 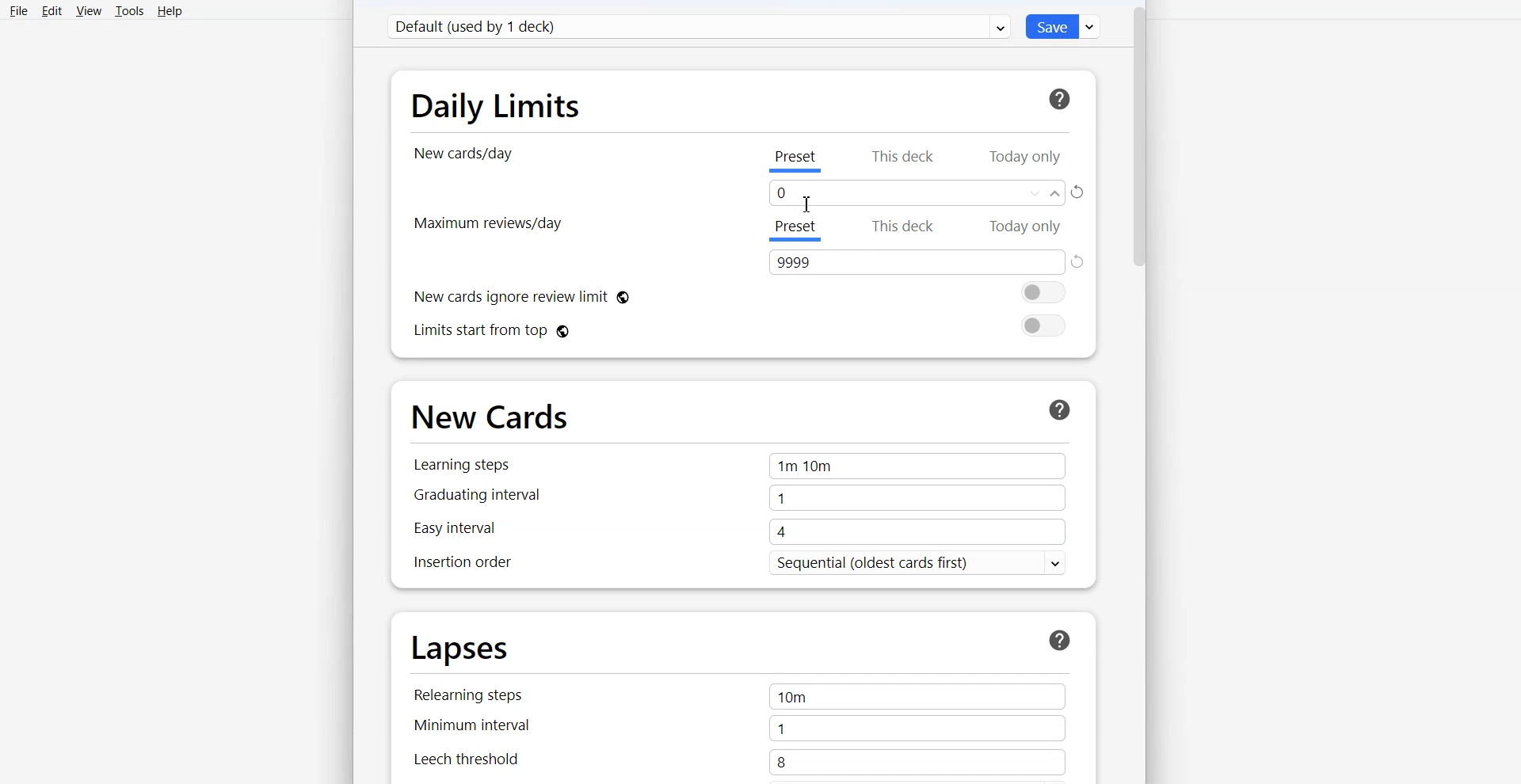 What do you see at coordinates (475, 466) in the screenshot?
I see `Learning steps` at bounding box center [475, 466].